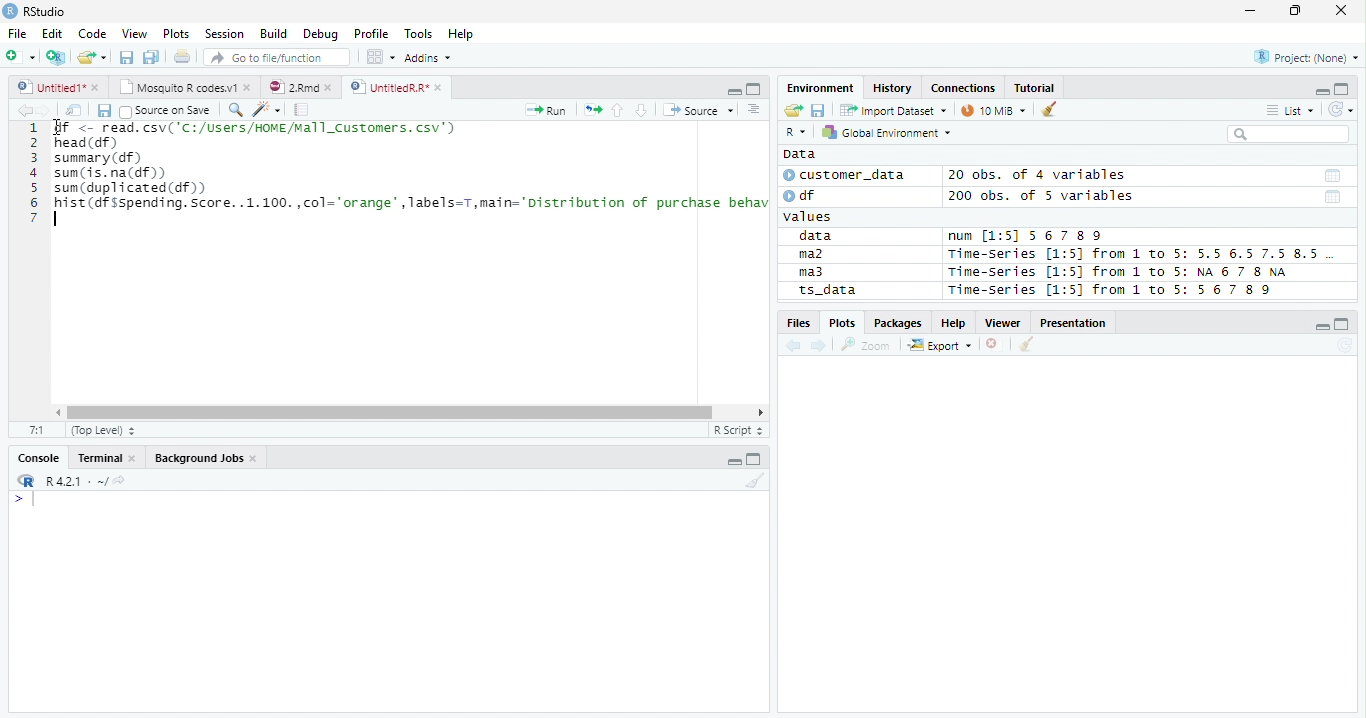  Describe the element at coordinates (57, 57) in the screenshot. I see `Create Project` at that location.